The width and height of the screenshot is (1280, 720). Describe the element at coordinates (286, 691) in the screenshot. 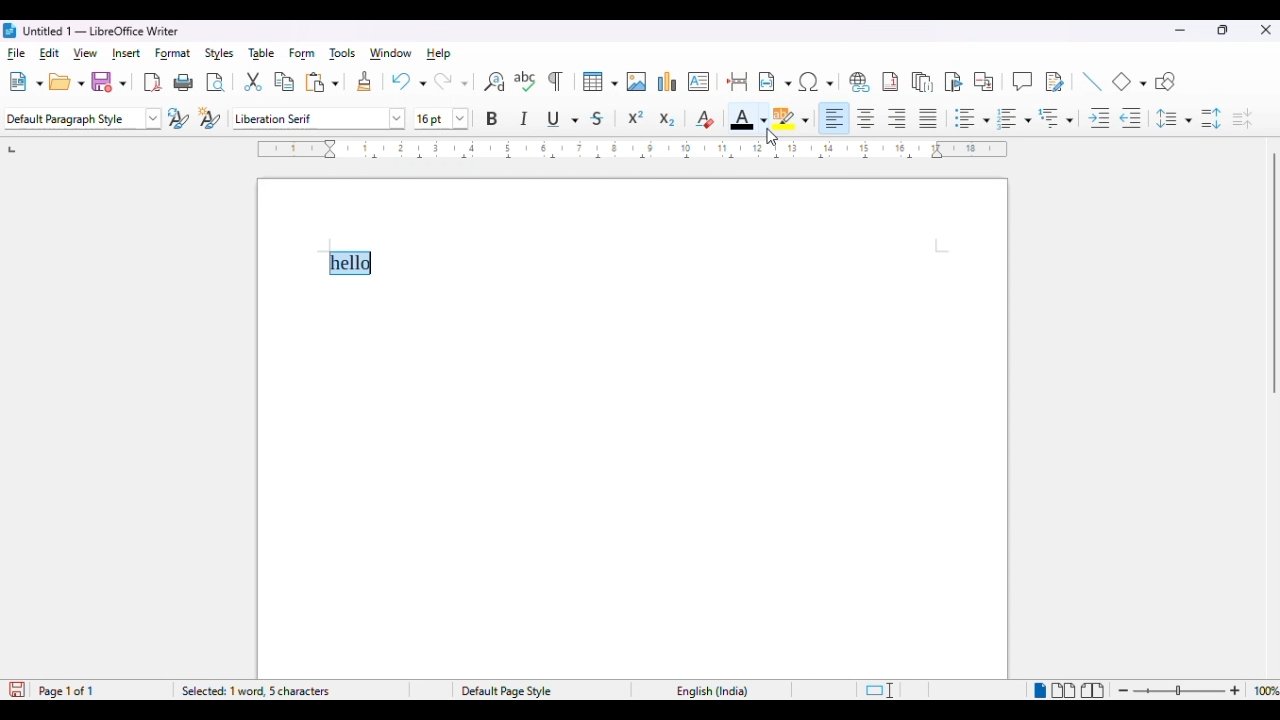

I see `word and character count` at that location.